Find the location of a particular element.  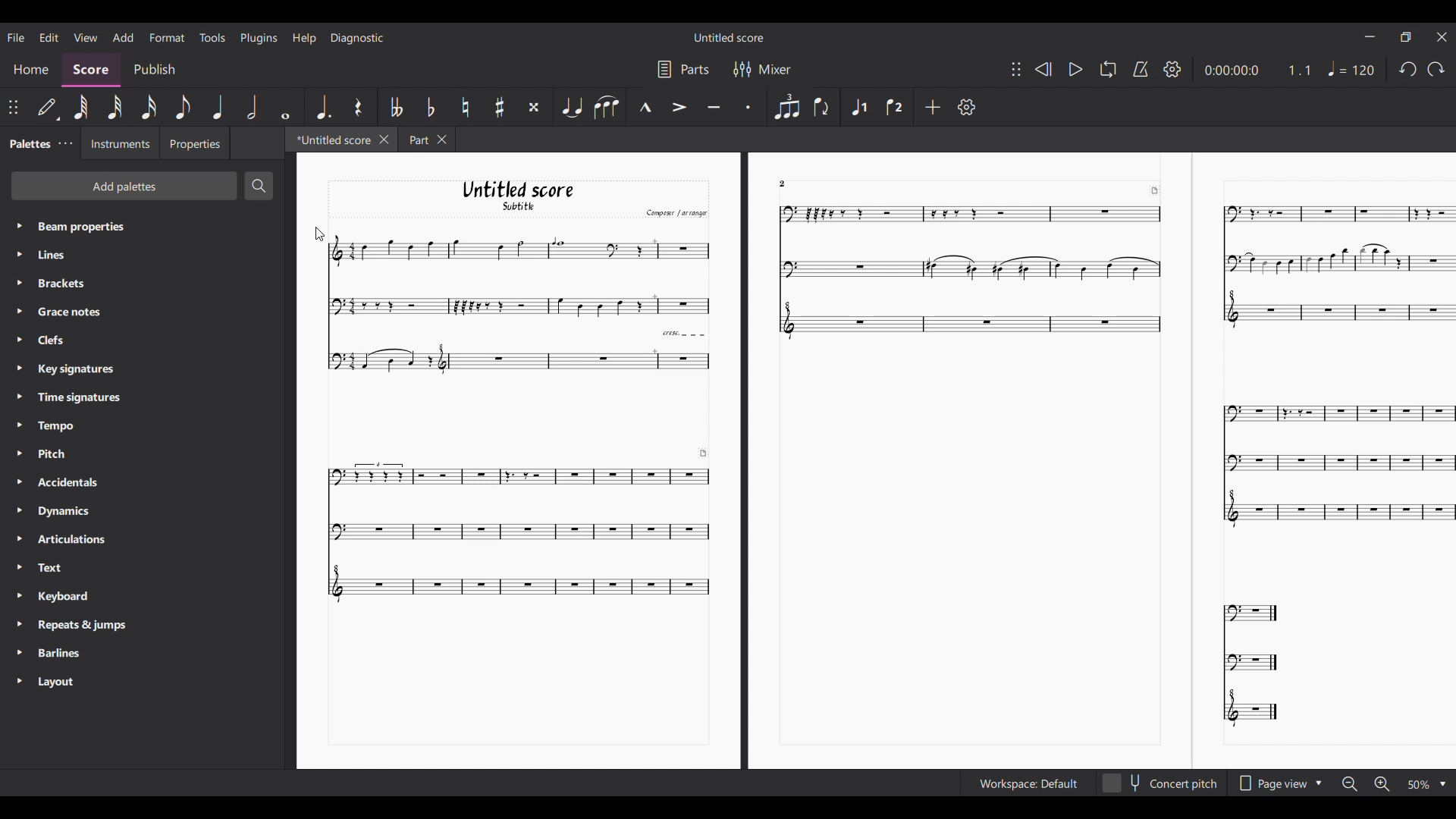

Accent is located at coordinates (679, 107).